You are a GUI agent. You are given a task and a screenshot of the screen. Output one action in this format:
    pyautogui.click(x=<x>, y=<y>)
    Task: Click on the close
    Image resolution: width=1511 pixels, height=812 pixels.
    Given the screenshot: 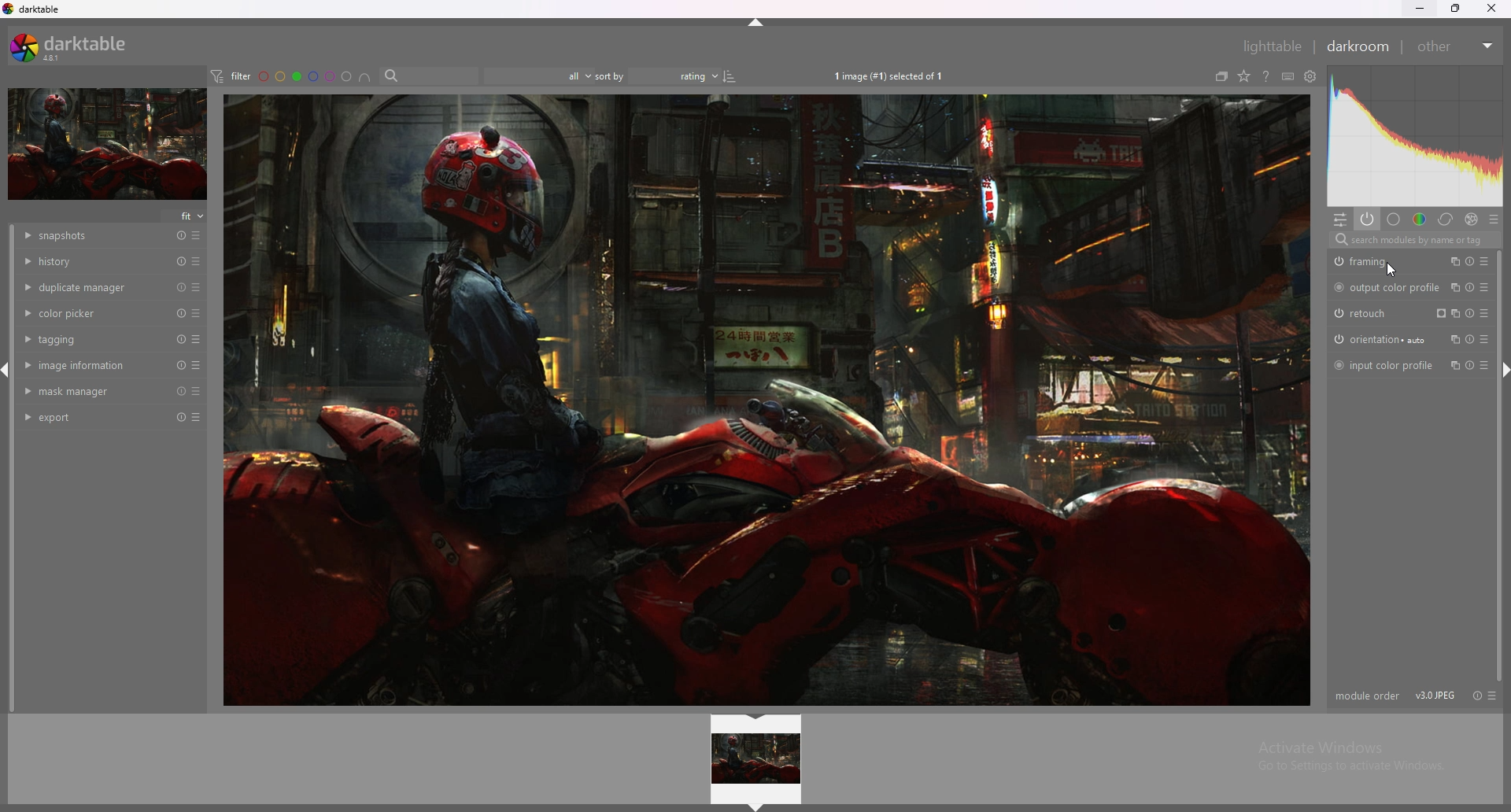 What is the action you would take?
    pyautogui.click(x=1491, y=9)
    